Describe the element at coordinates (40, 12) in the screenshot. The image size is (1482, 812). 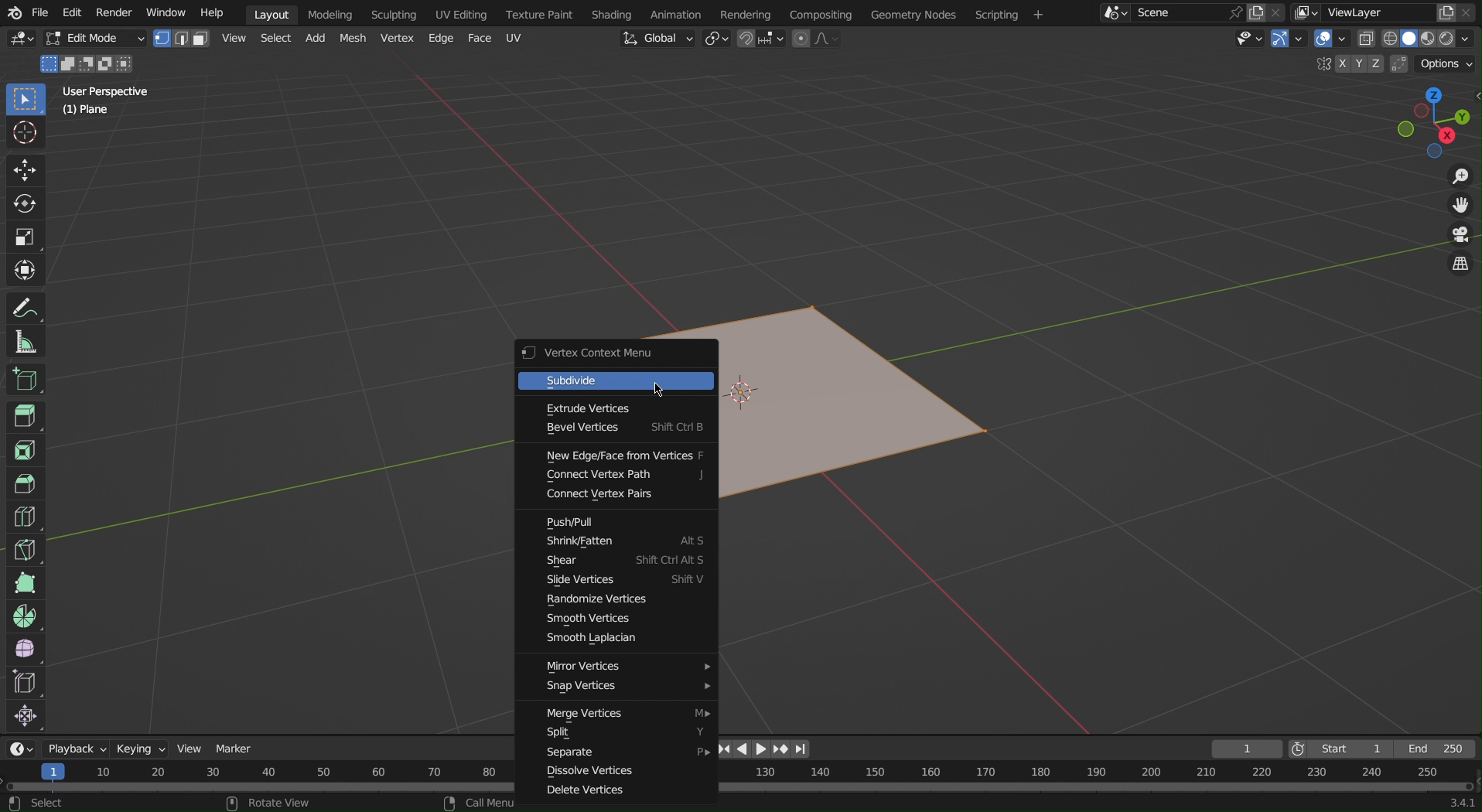
I see `File` at that location.